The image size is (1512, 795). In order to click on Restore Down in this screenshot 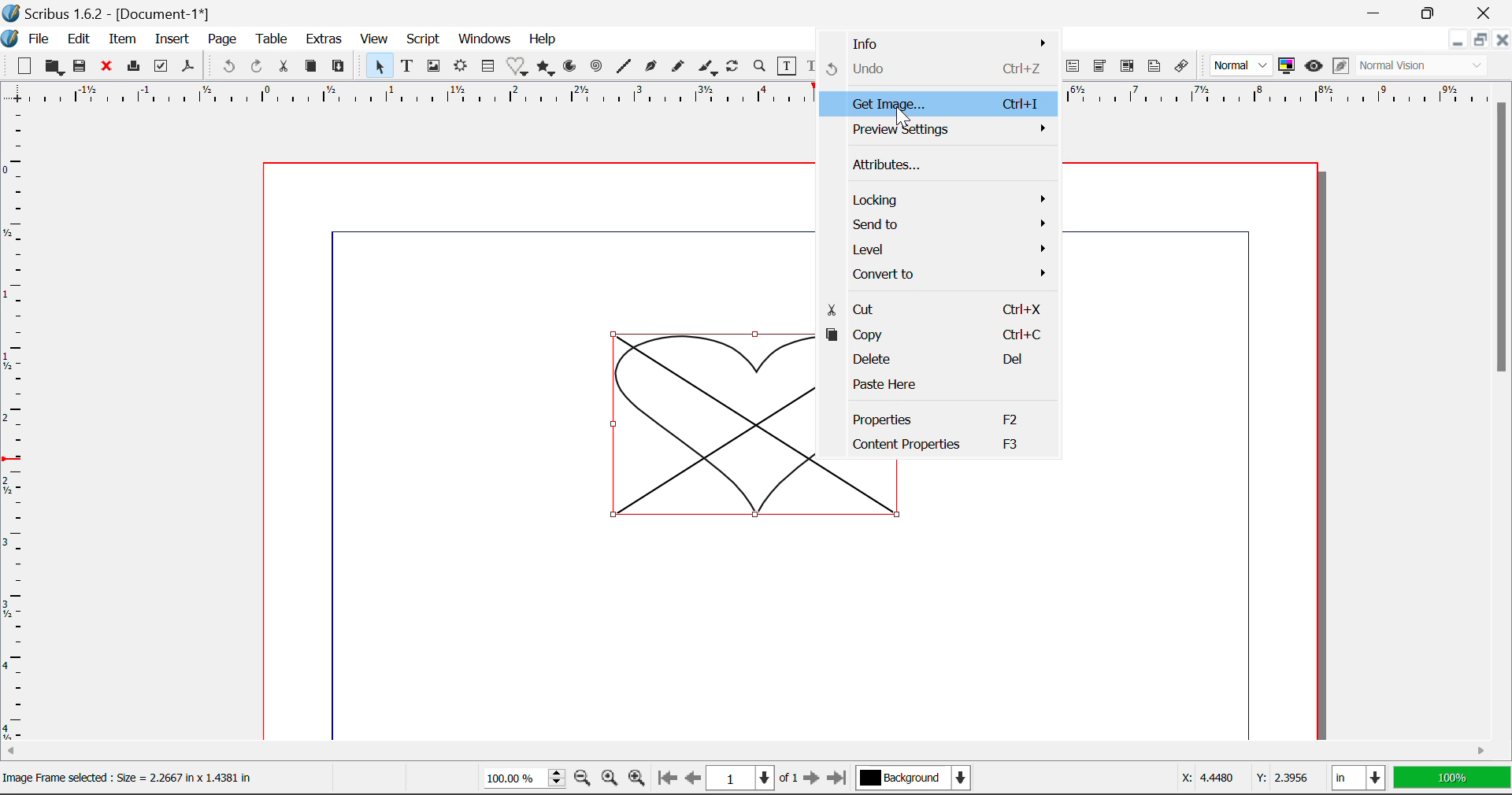, I will do `click(1459, 42)`.